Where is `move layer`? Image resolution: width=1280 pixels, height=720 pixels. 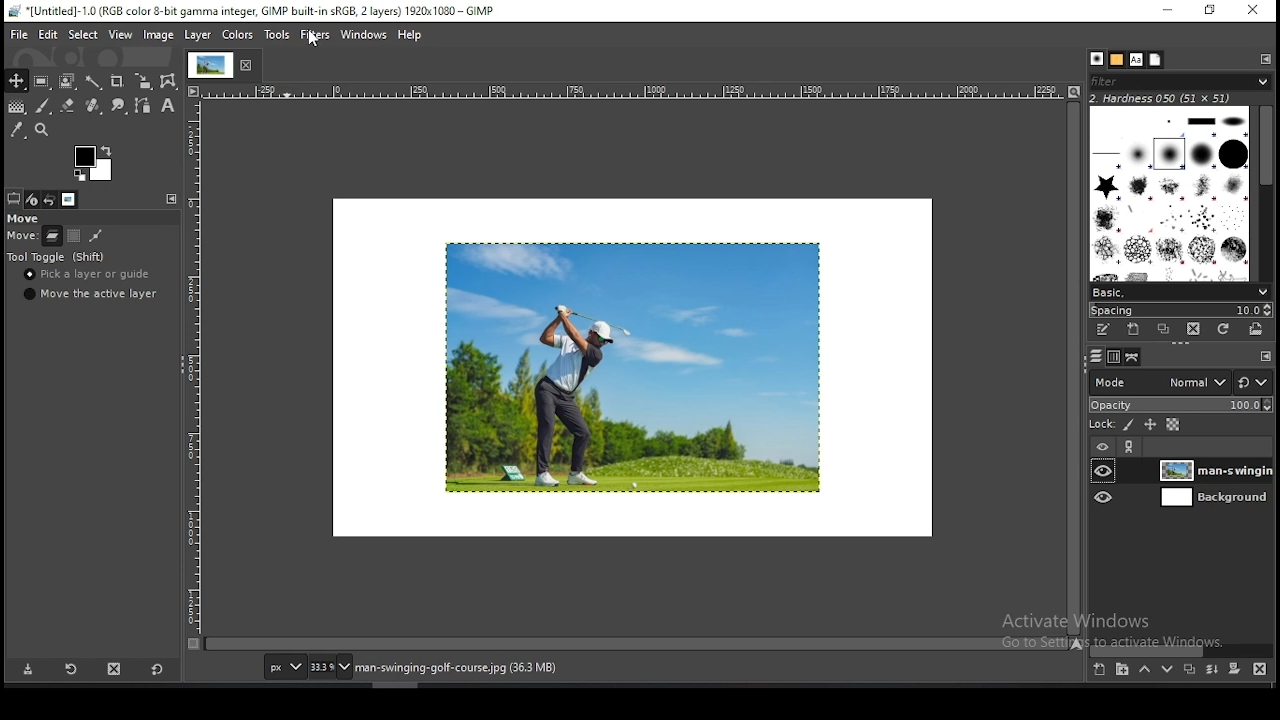
move layer is located at coordinates (51, 235).